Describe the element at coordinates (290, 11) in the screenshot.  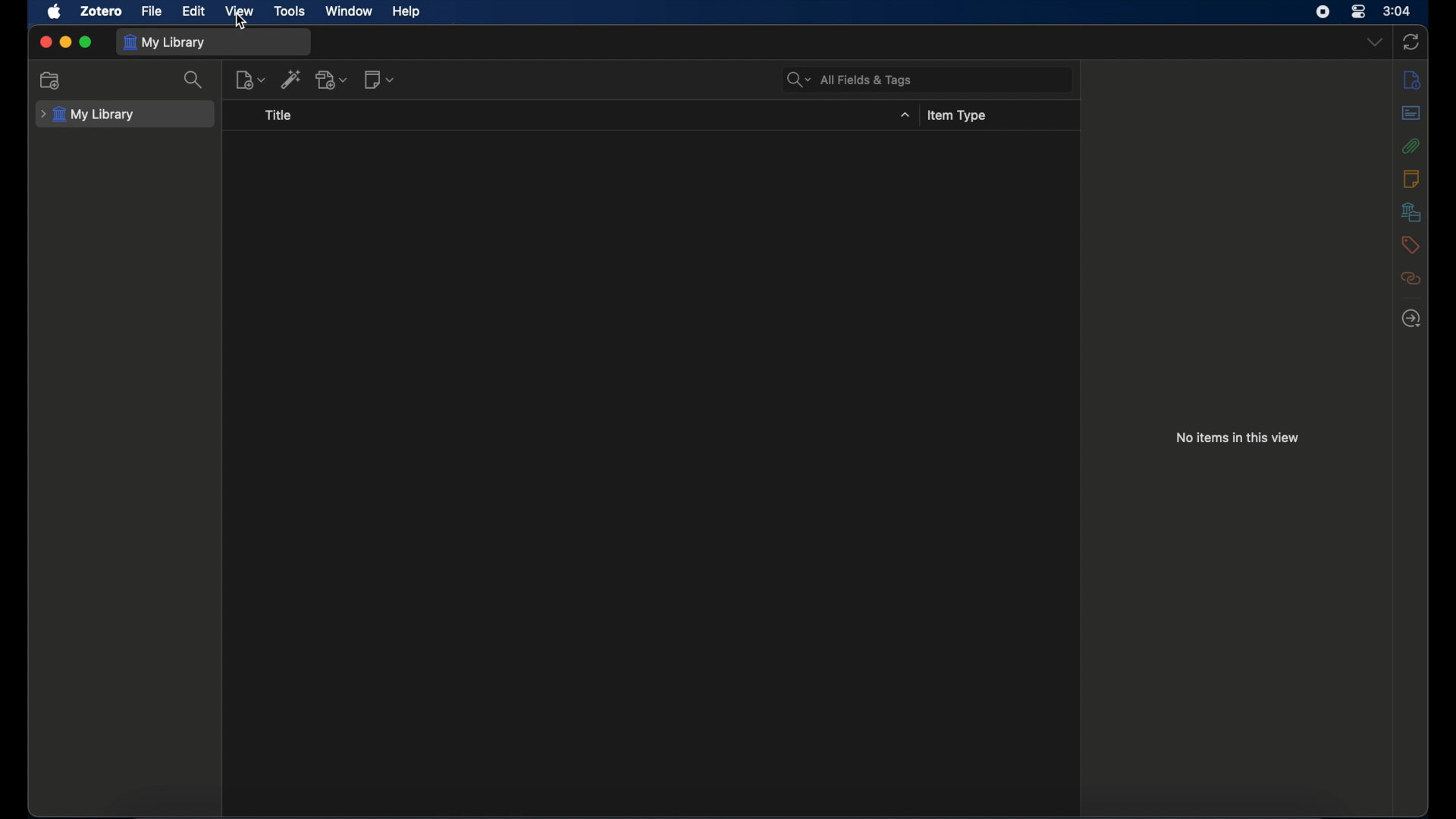
I see `tools` at that location.